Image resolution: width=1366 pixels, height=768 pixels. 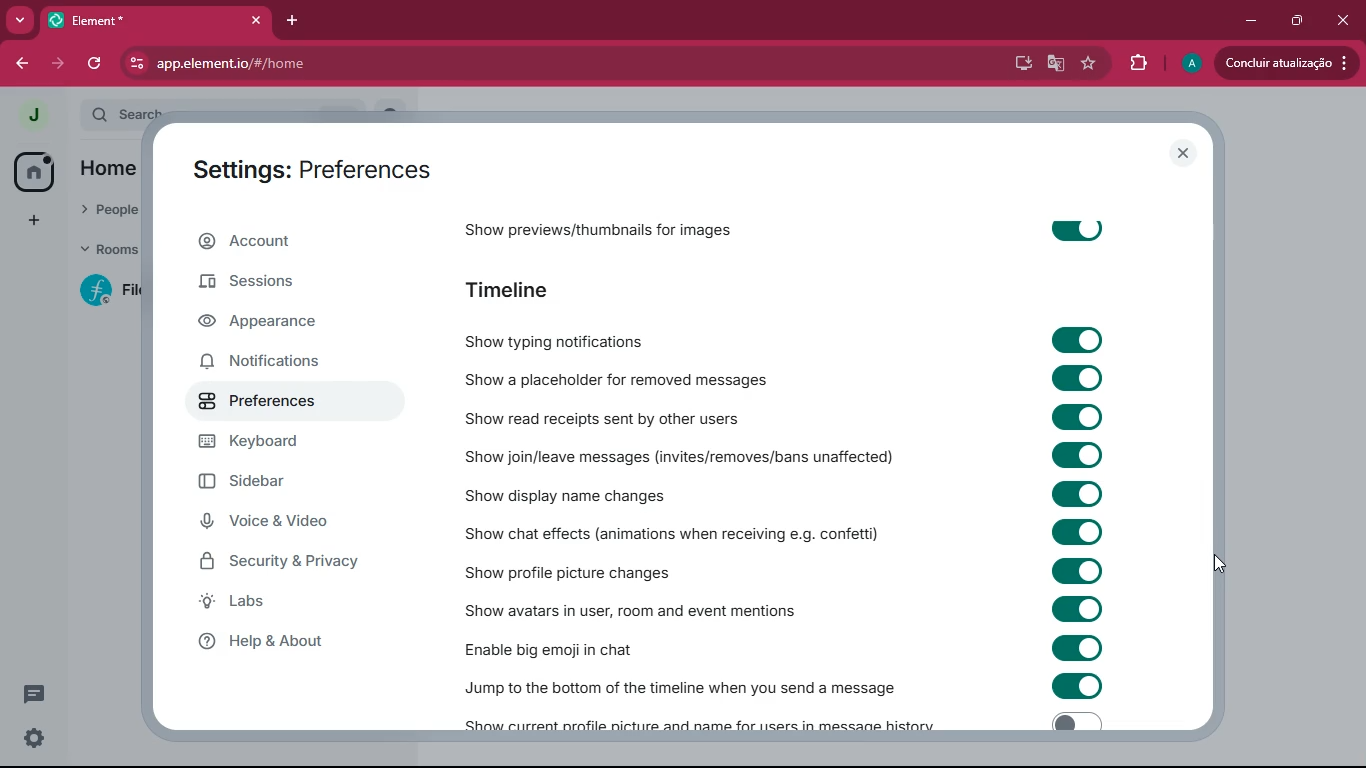 What do you see at coordinates (1286, 62) in the screenshot?
I see `concluir atualizacao` at bounding box center [1286, 62].